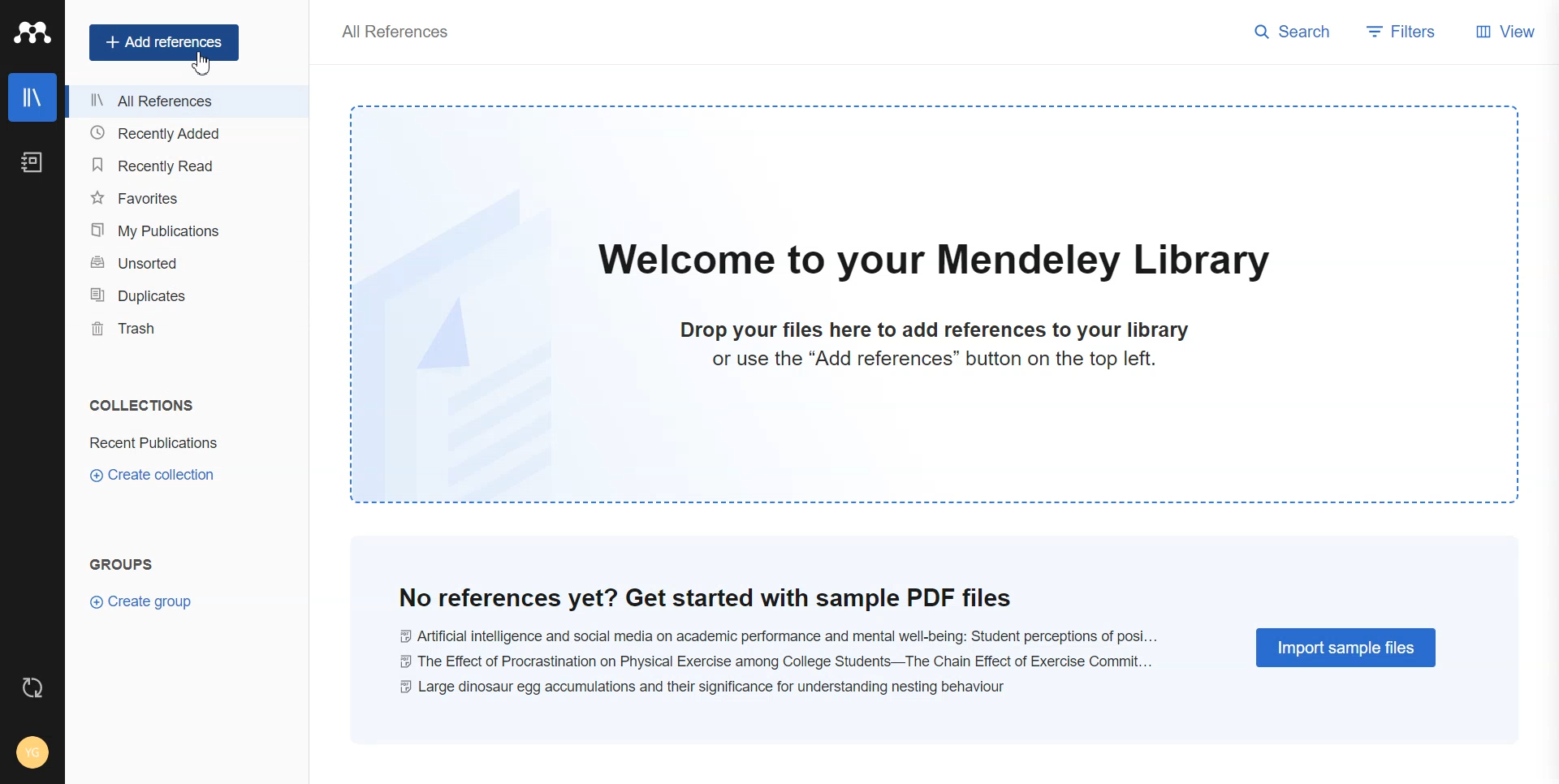 Image resolution: width=1559 pixels, height=784 pixels. I want to click on Recently Added, so click(179, 136).